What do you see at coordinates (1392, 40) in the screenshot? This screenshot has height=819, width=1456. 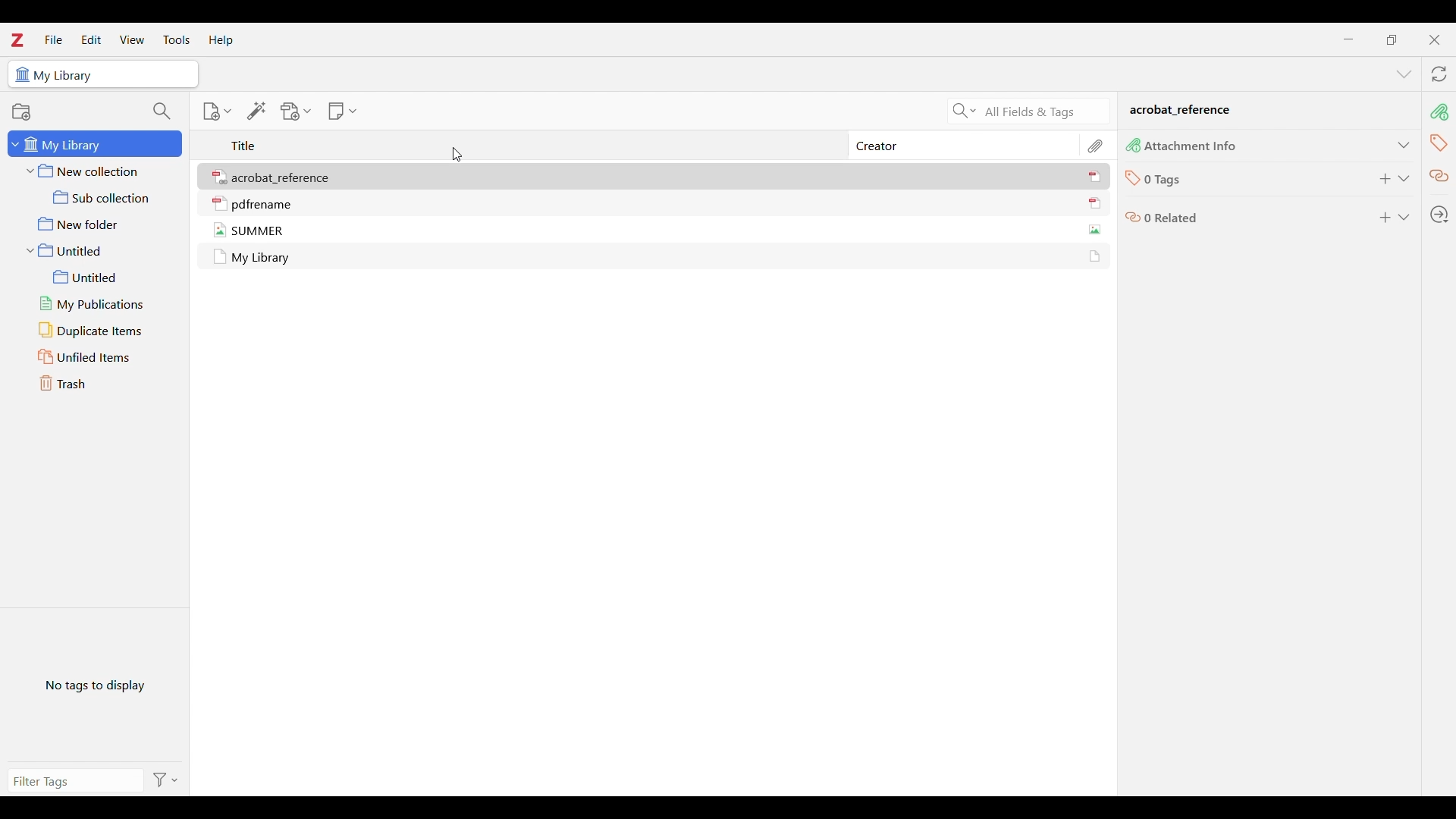 I see `Show interface in smaller tab` at bounding box center [1392, 40].